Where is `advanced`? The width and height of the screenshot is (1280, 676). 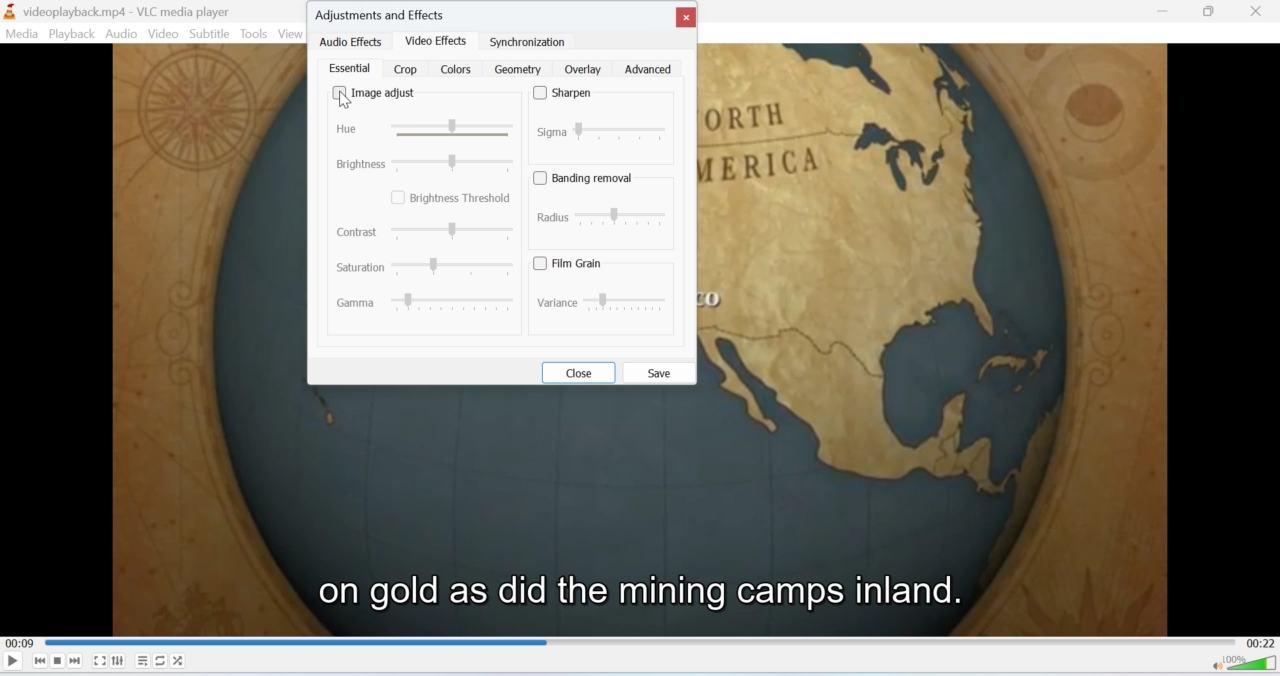
advanced is located at coordinates (649, 70).